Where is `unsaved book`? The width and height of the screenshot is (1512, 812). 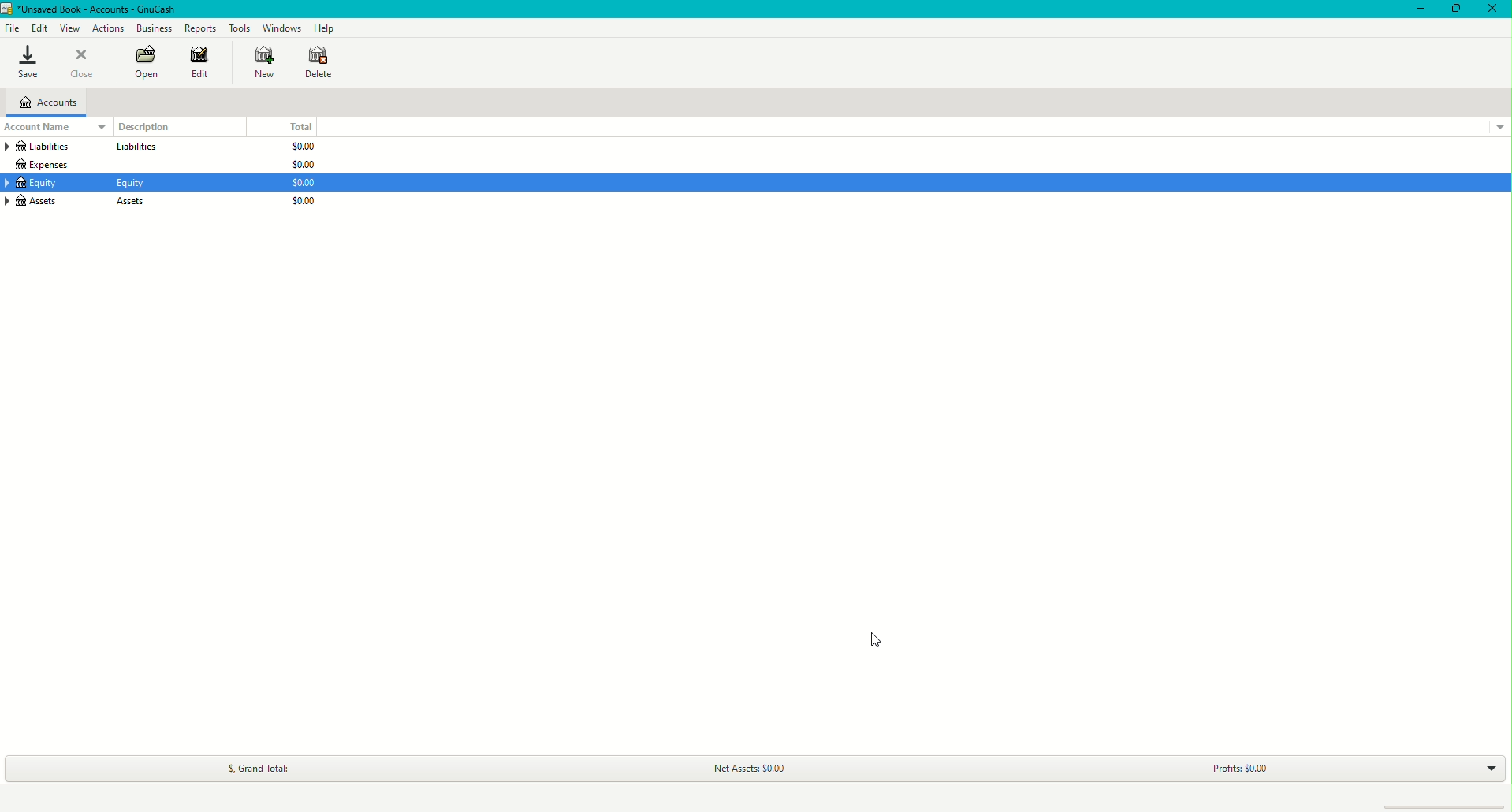
unsaved book is located at coordinates (96, 9).